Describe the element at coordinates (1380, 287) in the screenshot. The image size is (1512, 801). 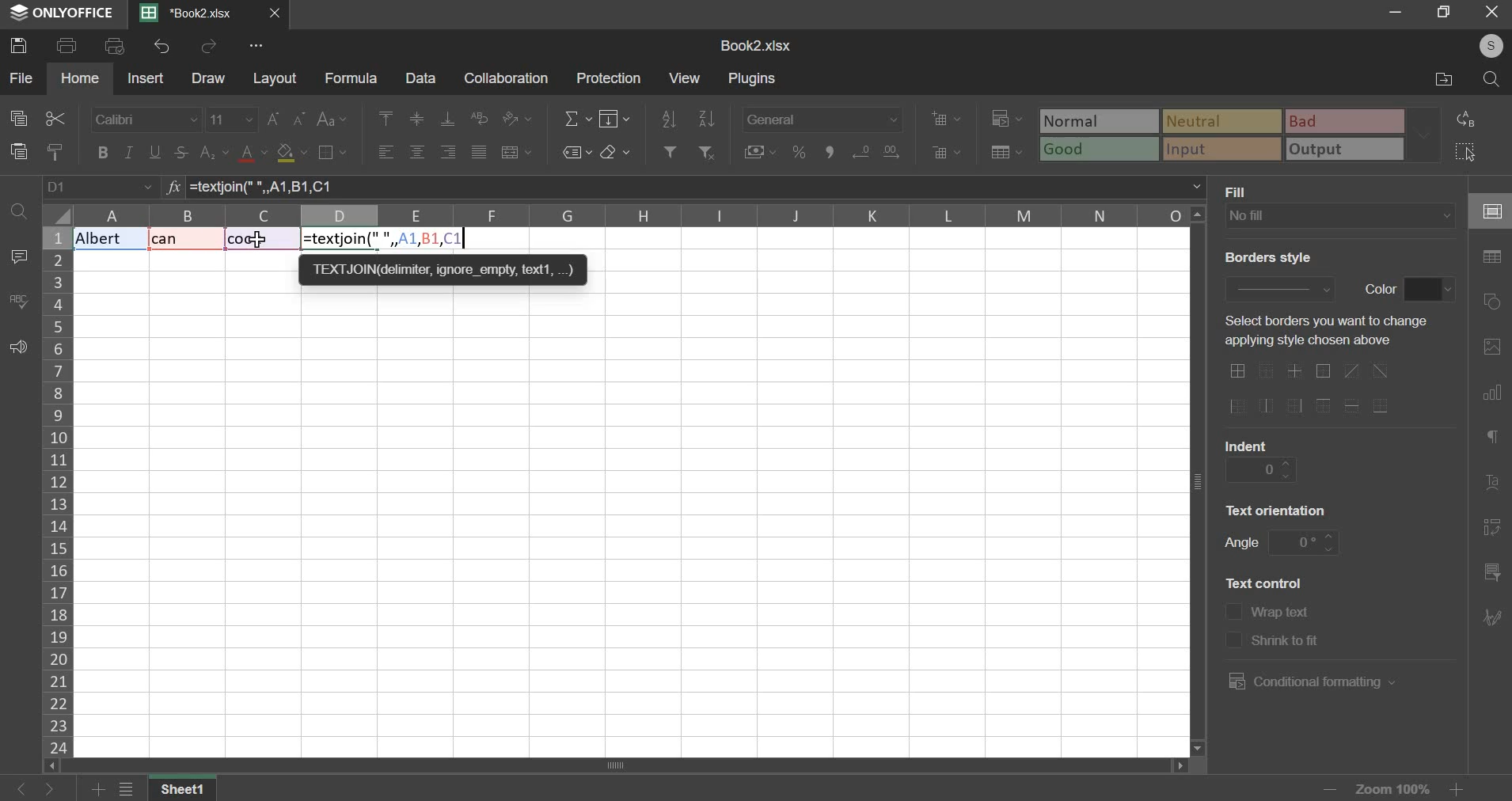
I see `text` at that location.